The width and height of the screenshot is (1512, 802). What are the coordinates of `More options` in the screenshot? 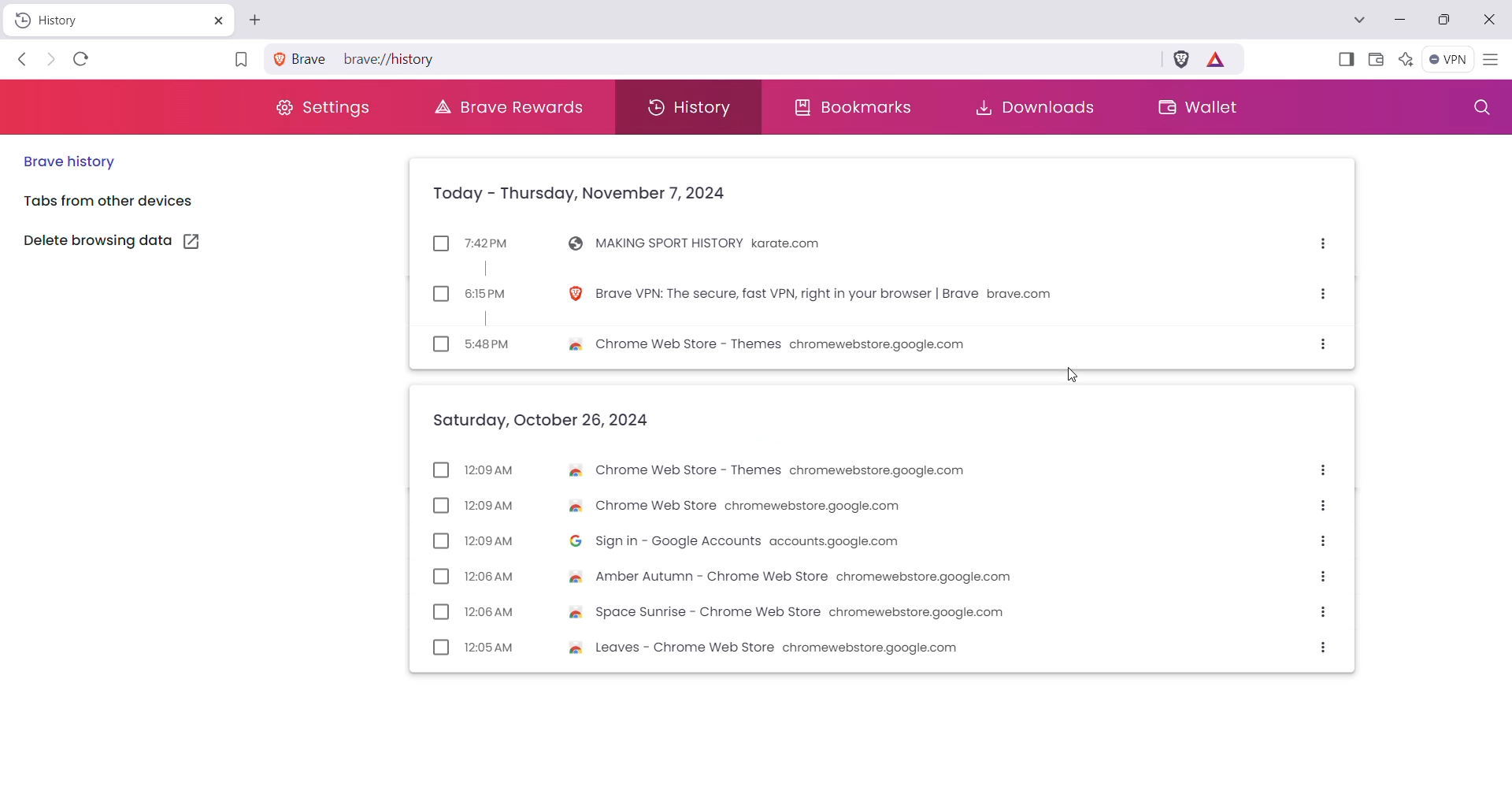 It's located at (1329, 468).